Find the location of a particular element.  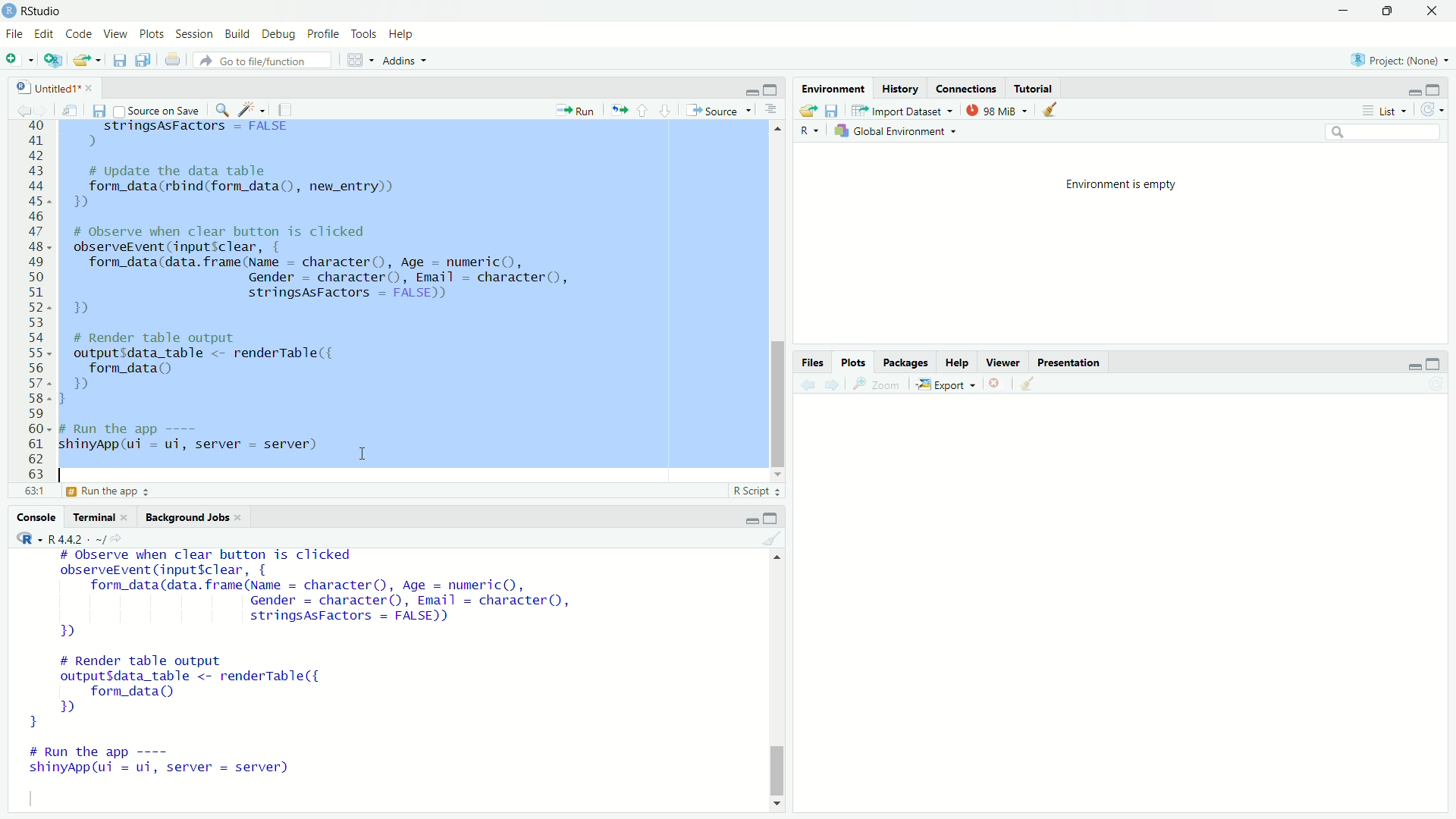

load workspace is located at coordinates (805, 111).